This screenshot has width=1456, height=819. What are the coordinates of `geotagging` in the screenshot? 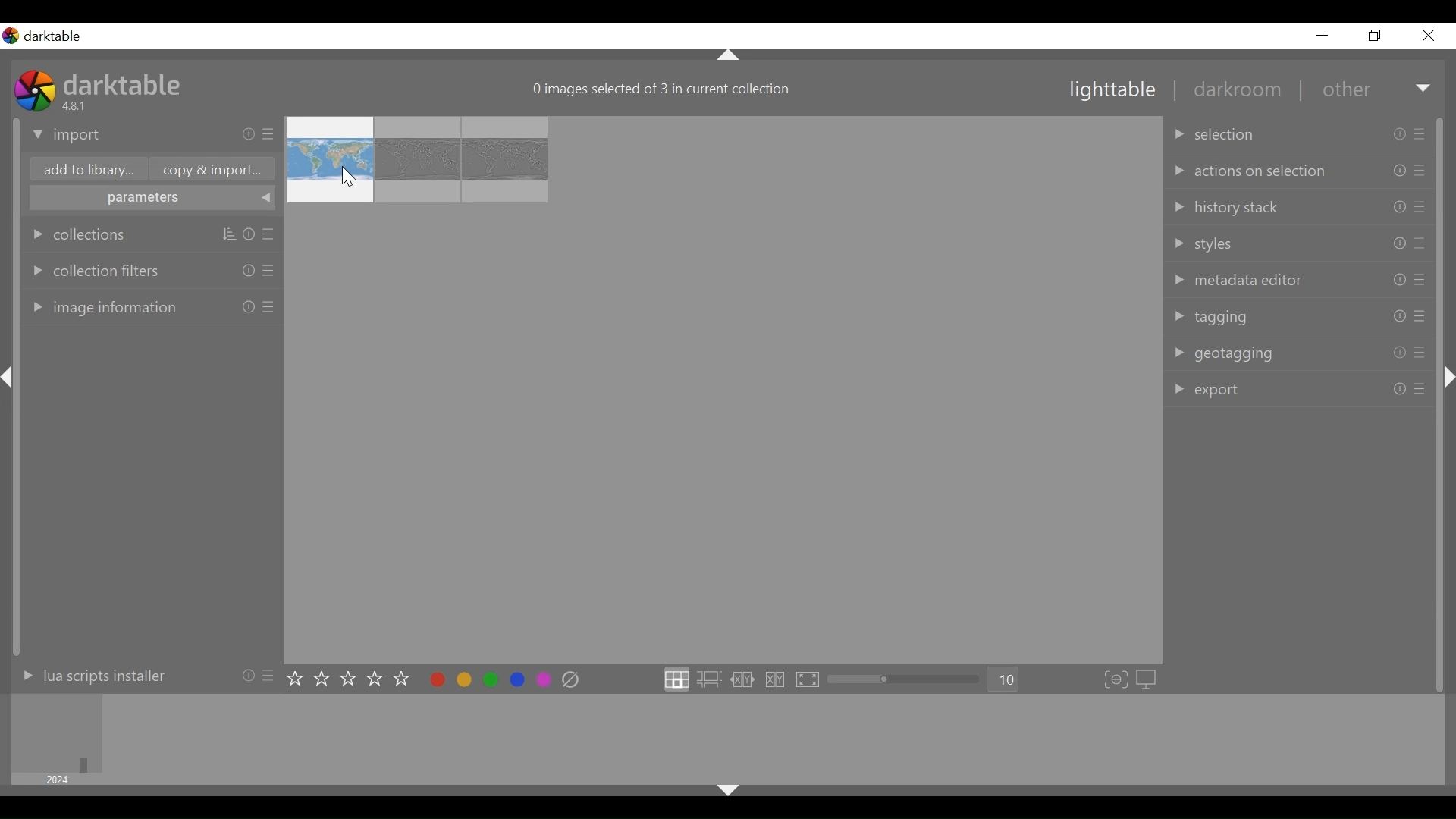 It's located at (1302, 354).